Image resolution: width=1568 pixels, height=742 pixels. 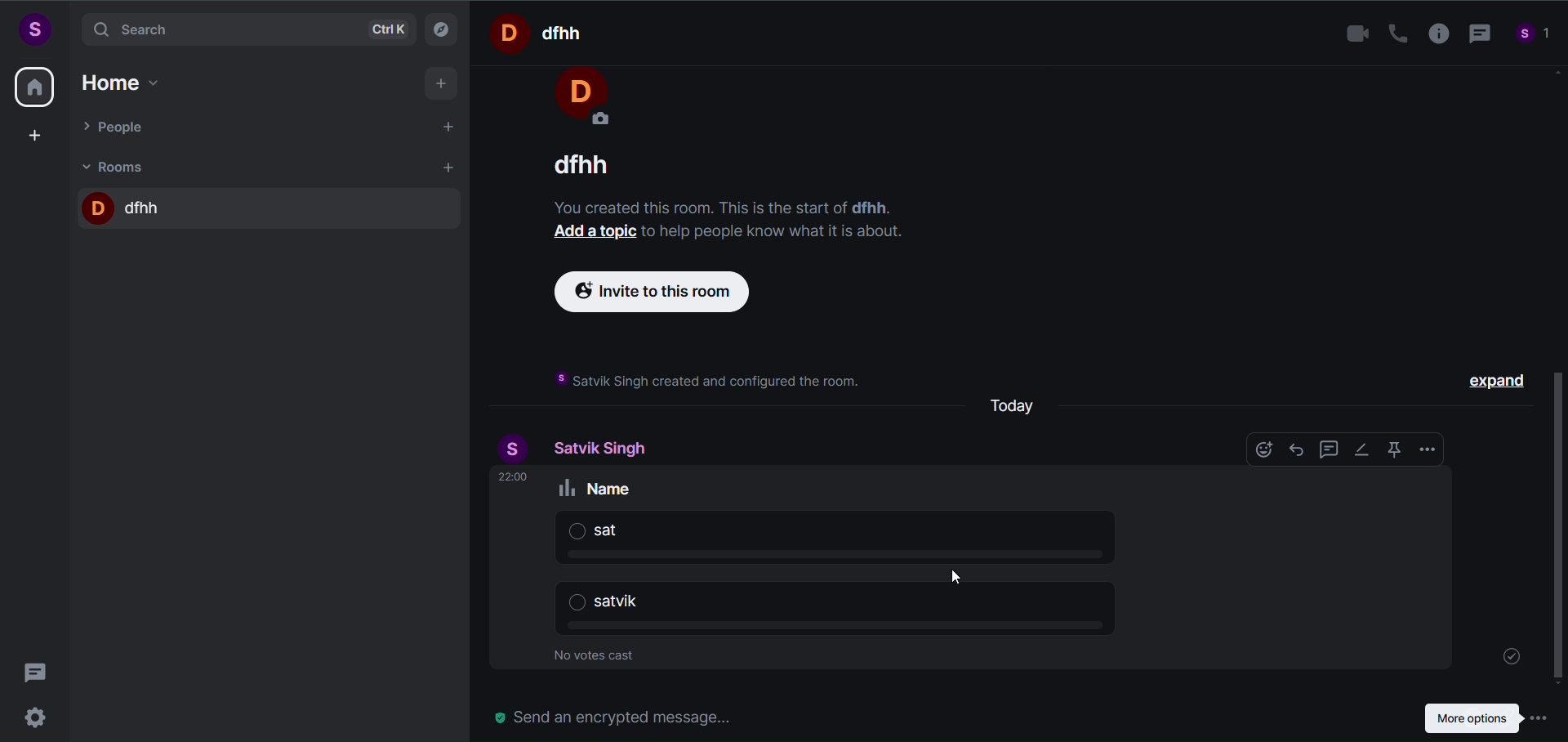 What do you see at coordinates (118, 166) in the screenshot?
I see `rooms` at bounding box center [118, 166].